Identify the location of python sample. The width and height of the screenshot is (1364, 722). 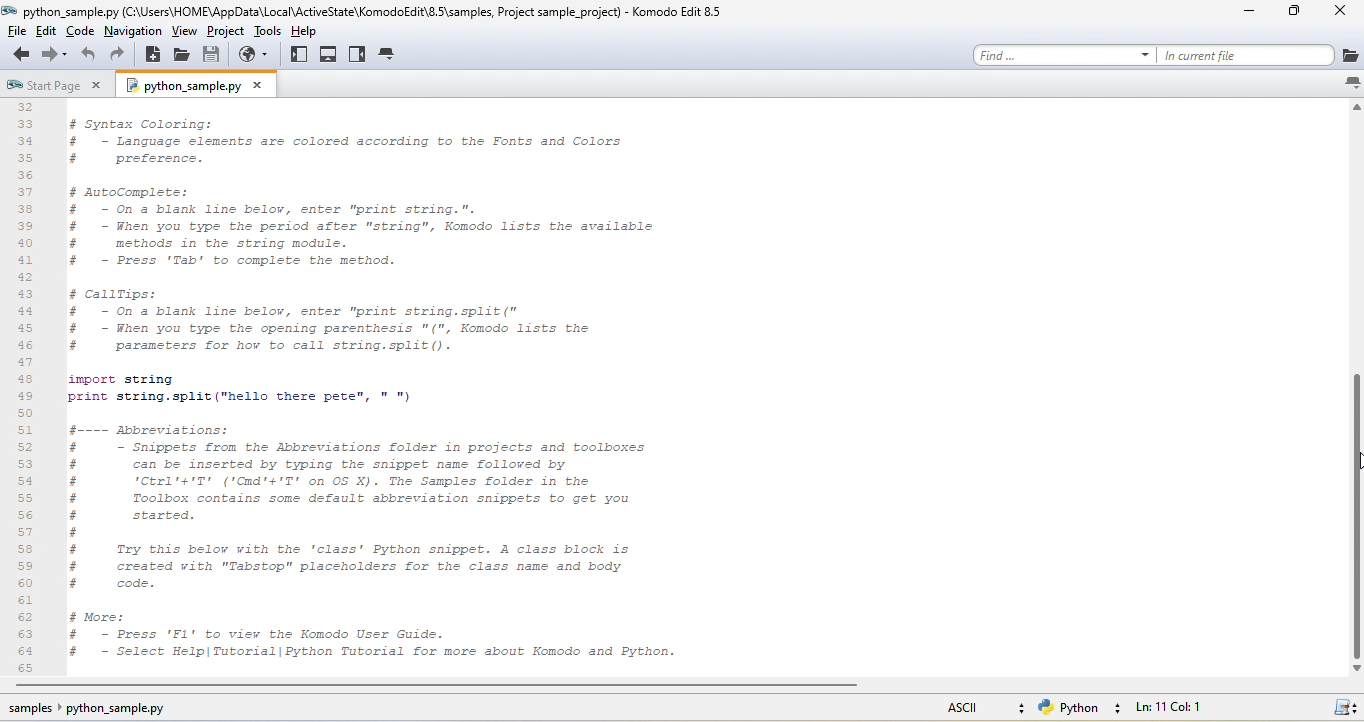
(204, 87).